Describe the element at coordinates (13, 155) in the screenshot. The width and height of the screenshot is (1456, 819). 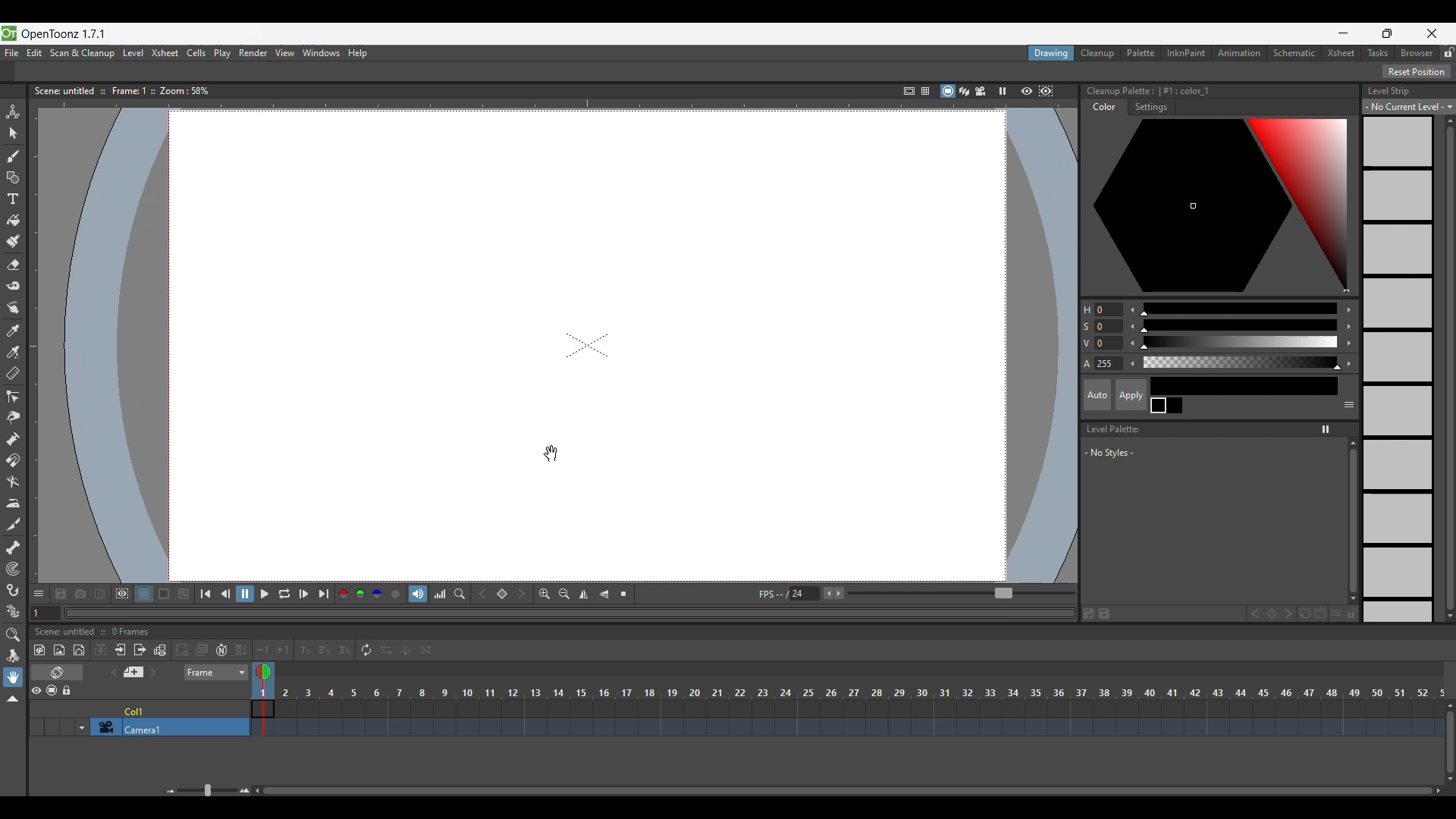
I see `Brush tool` at that location.